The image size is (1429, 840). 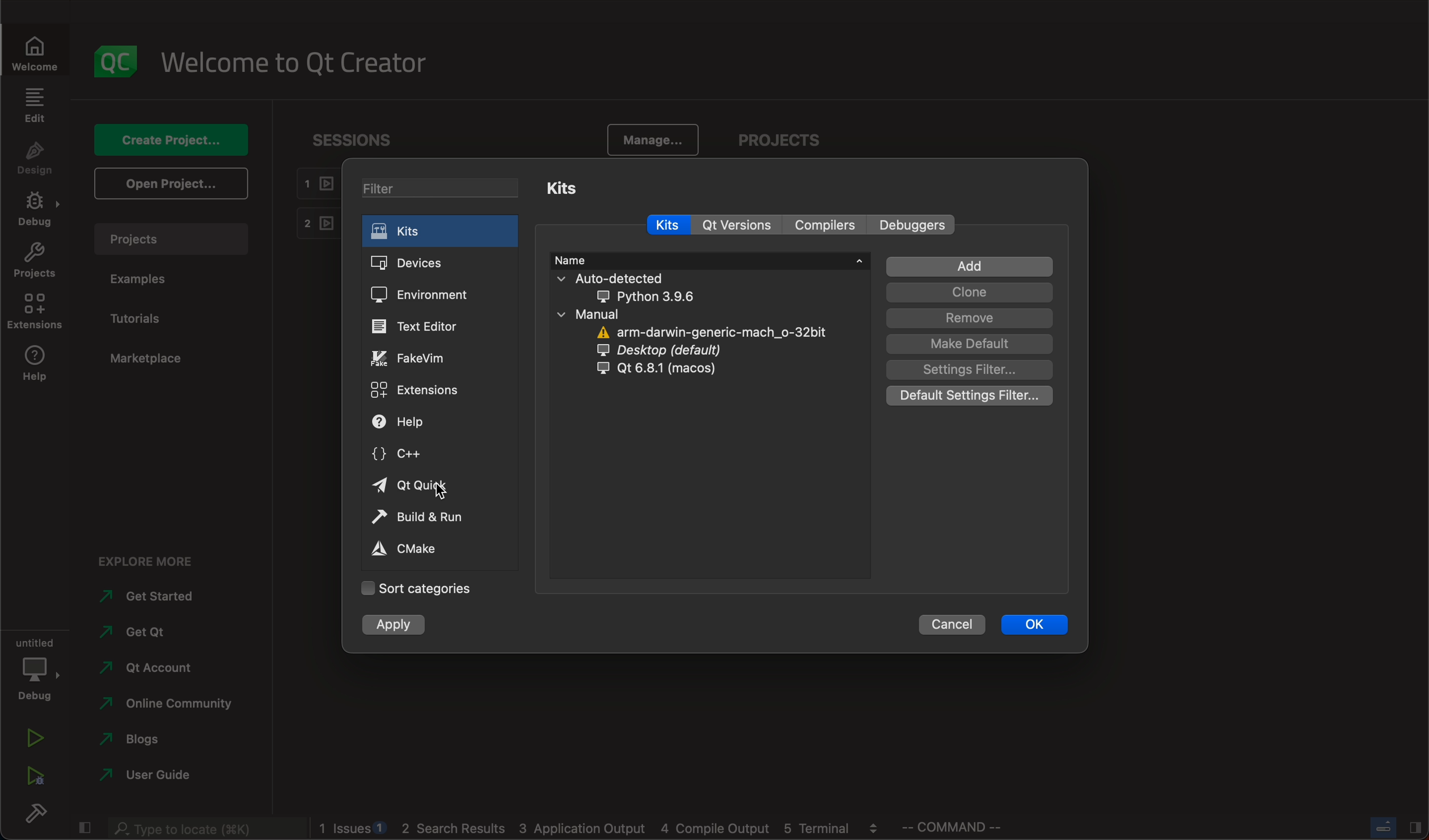 I want to click on clone, so click(x=966, y=294).